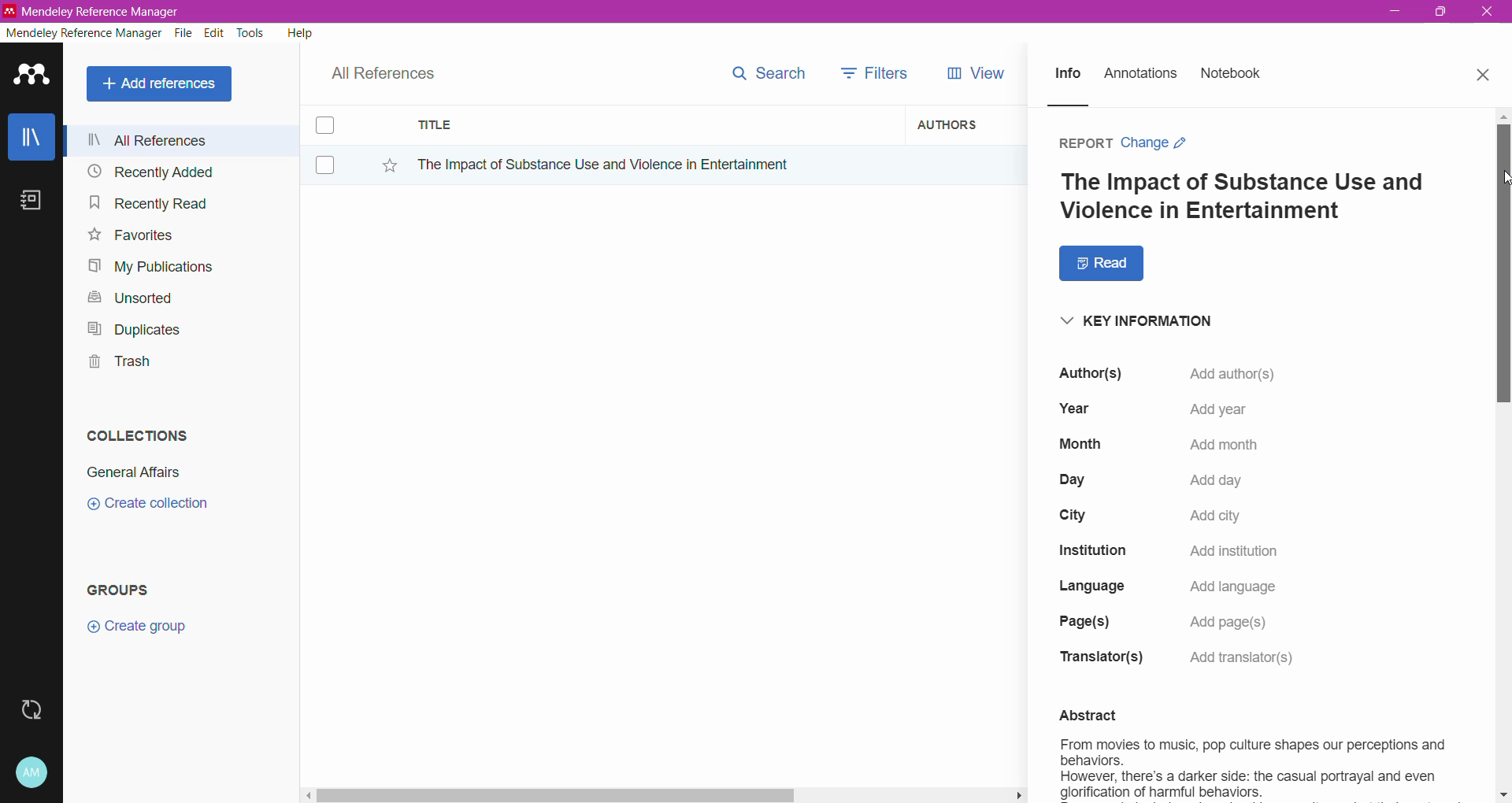 The width and height of the screenshot is (1512, 803). I want to click on Groups, so click(124, 589).